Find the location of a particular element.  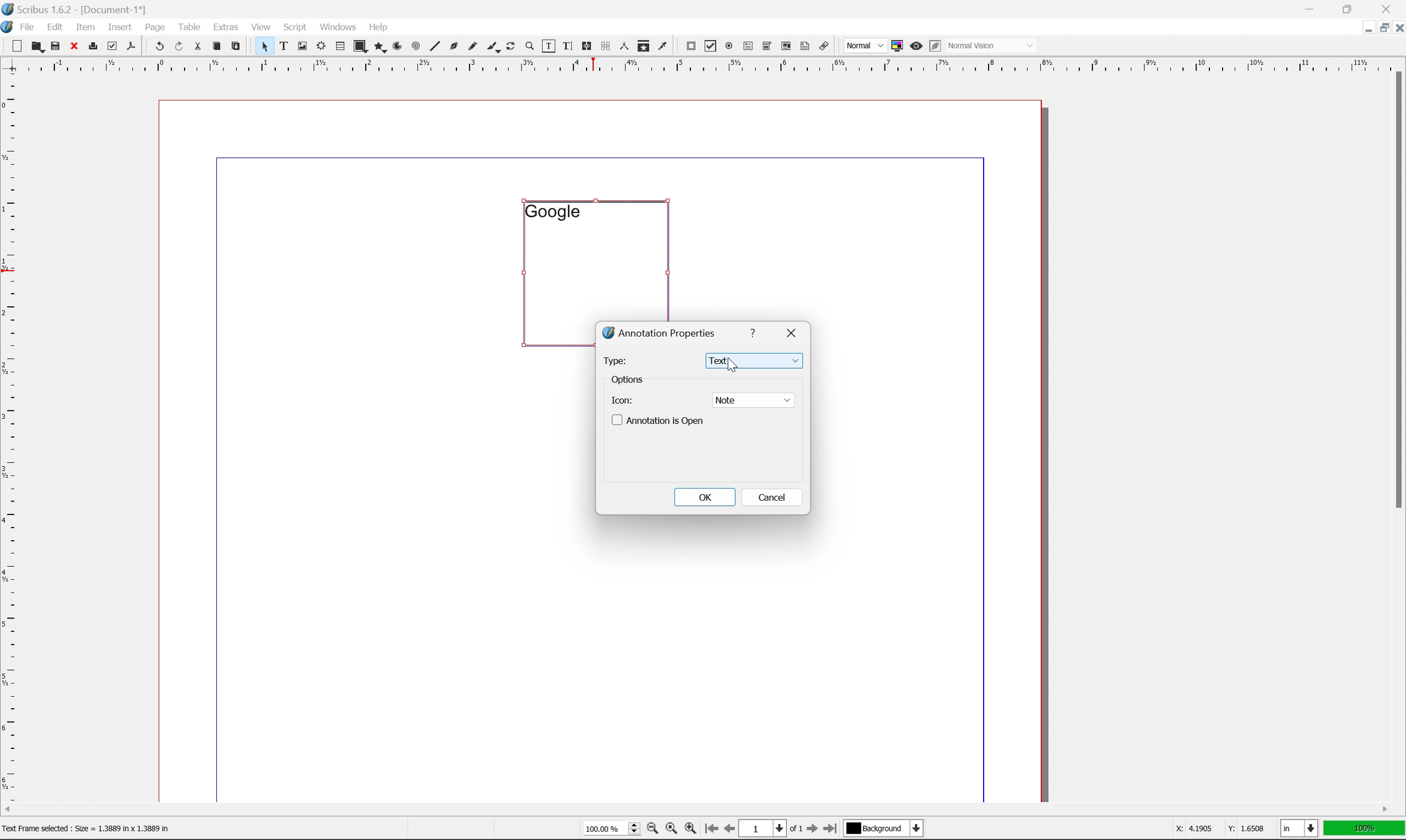

undo is located at coordinates (159, 47).